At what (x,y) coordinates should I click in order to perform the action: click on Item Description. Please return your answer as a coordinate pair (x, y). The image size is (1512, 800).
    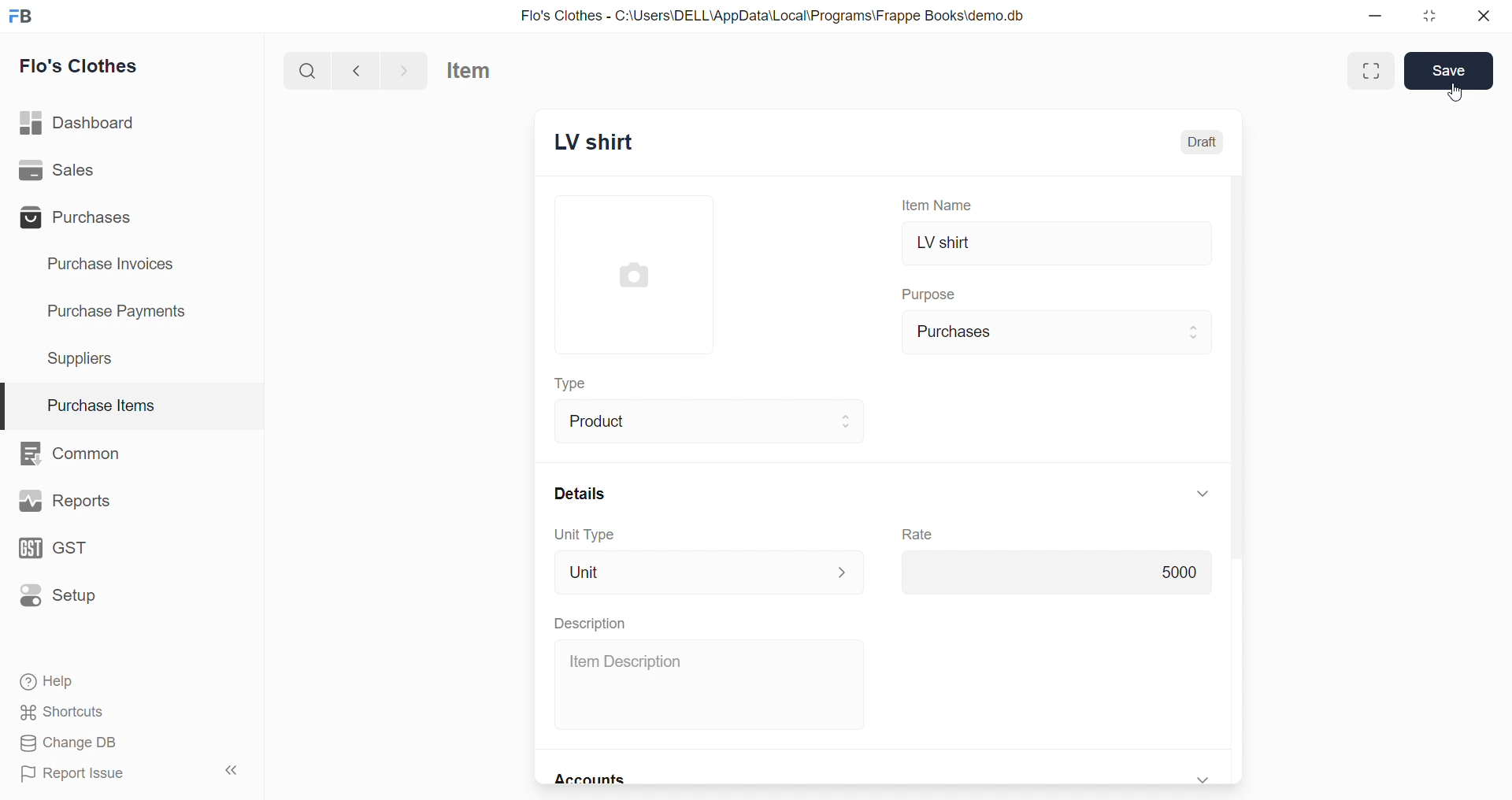
    Looking at the image, I should click on (713, 685).